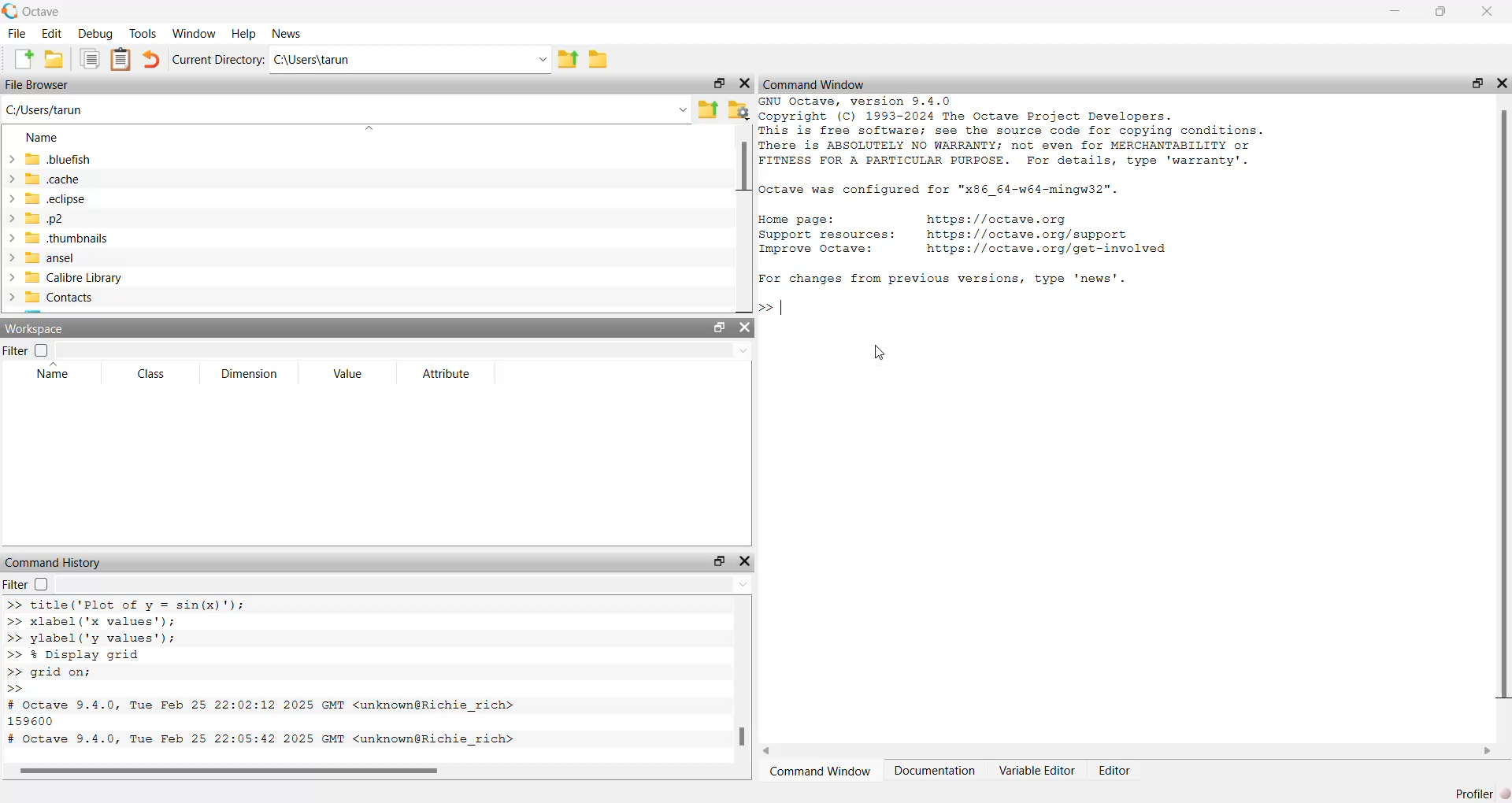 This screenshot has height=803, width=1512. I want to click on News, so click(286, 35).